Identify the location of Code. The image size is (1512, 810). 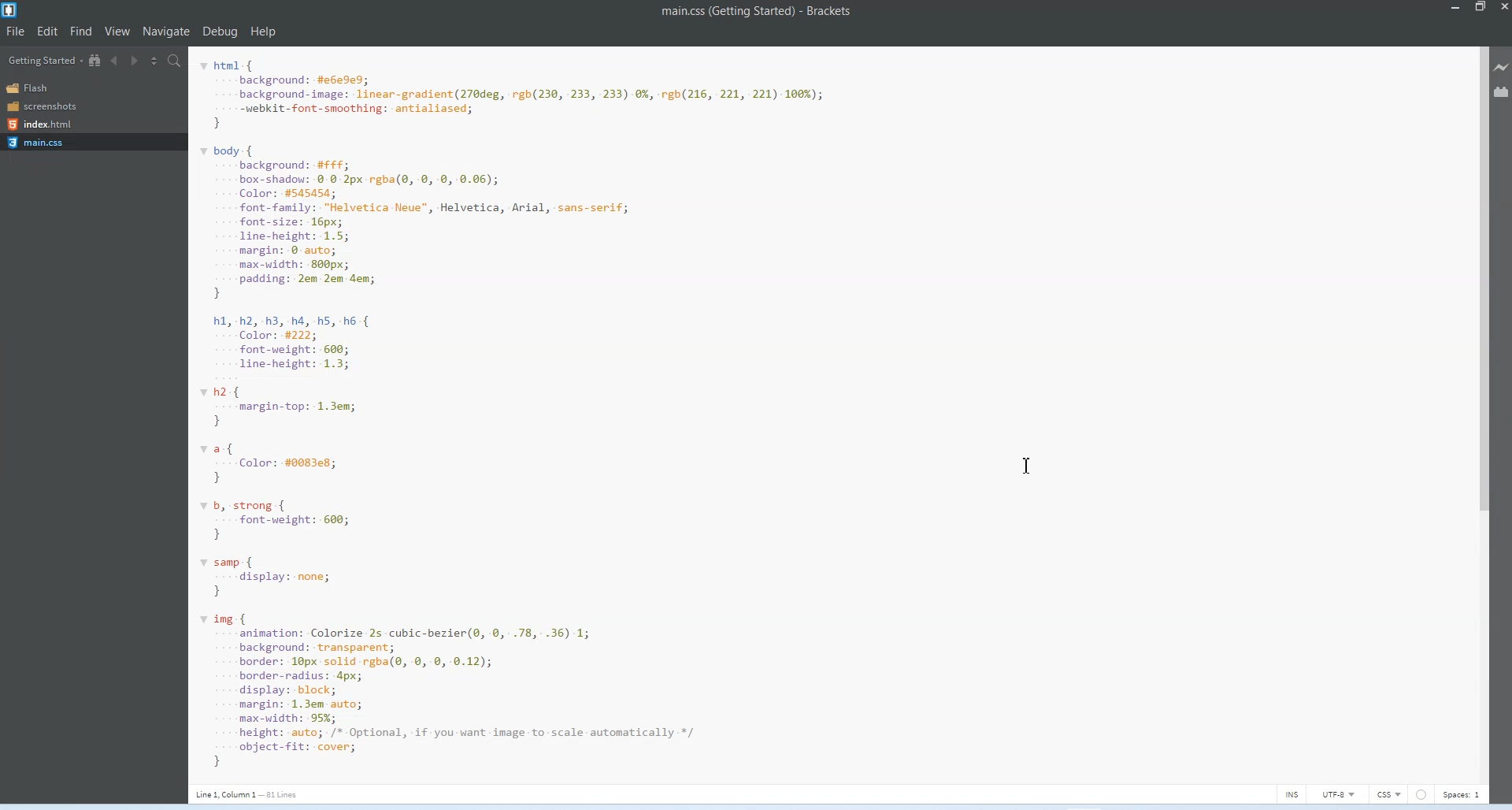
(527, 412).